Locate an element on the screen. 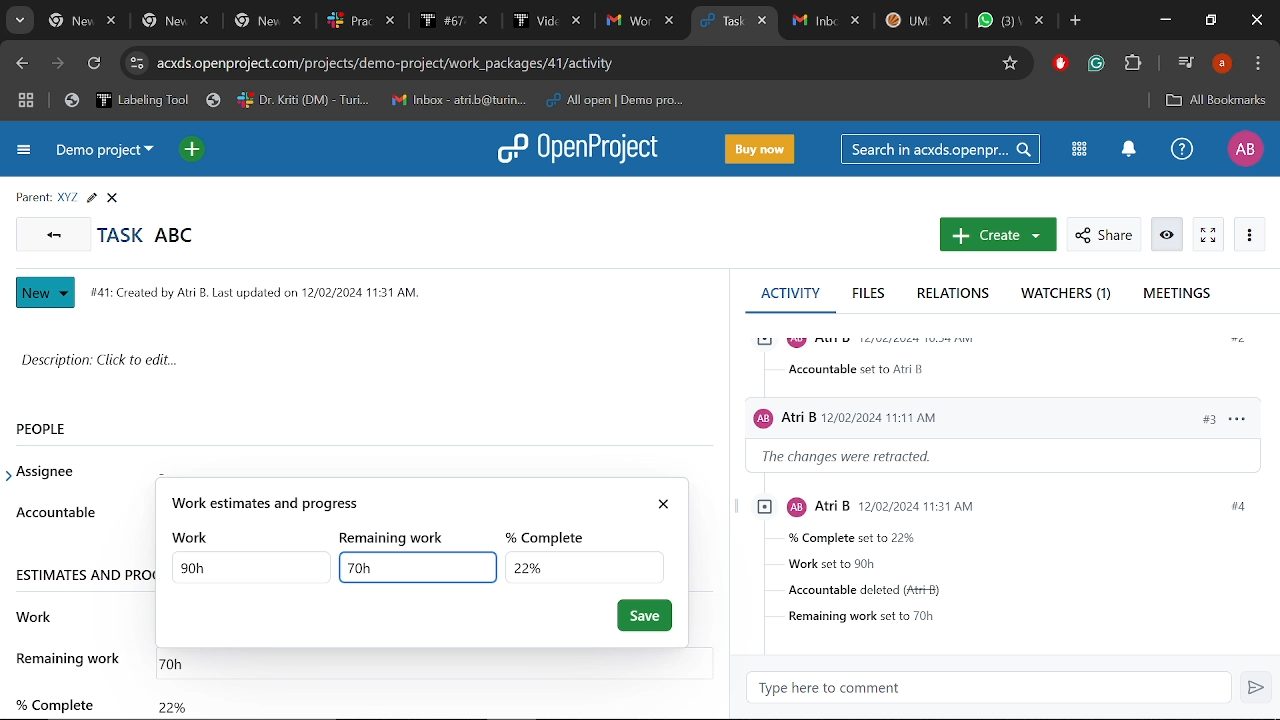 The width and height of the screenshot is (1280, 720). Addblock is located at coordinates (1061, 64).